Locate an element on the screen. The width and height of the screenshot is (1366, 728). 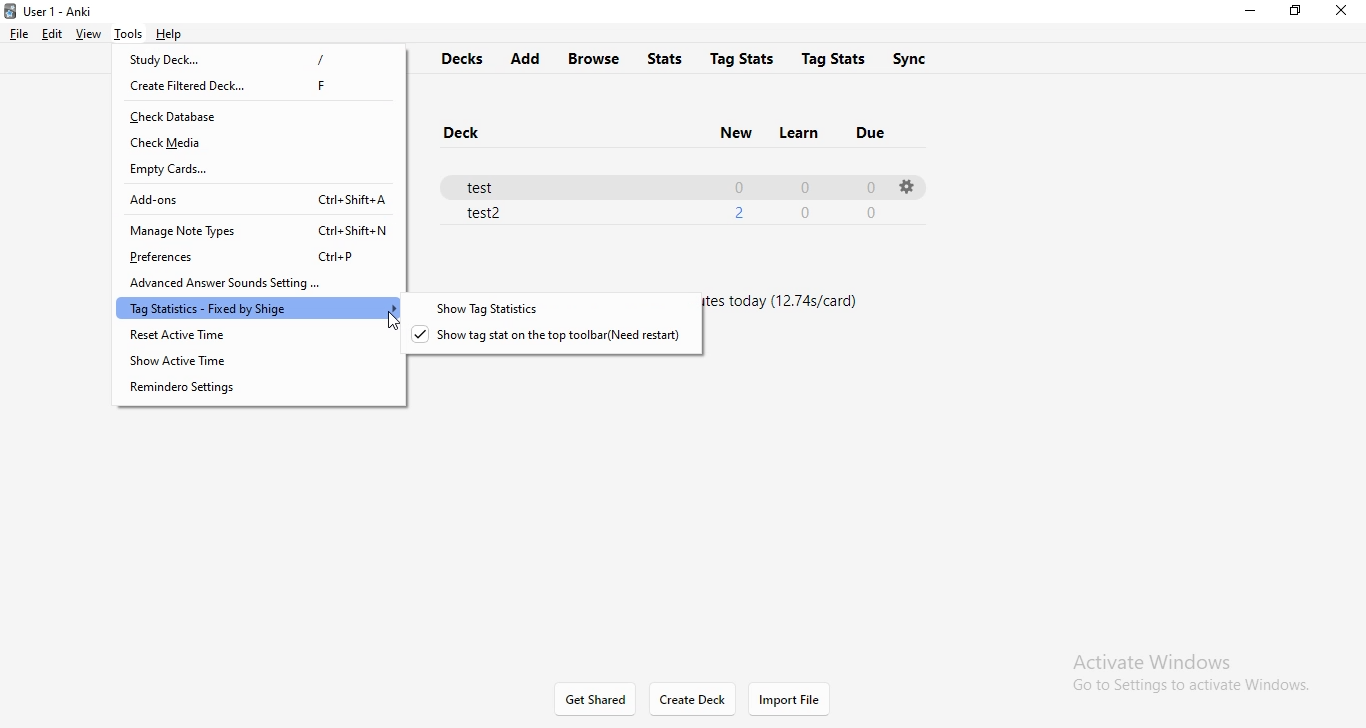
browse is located at coordinates (597, 57).